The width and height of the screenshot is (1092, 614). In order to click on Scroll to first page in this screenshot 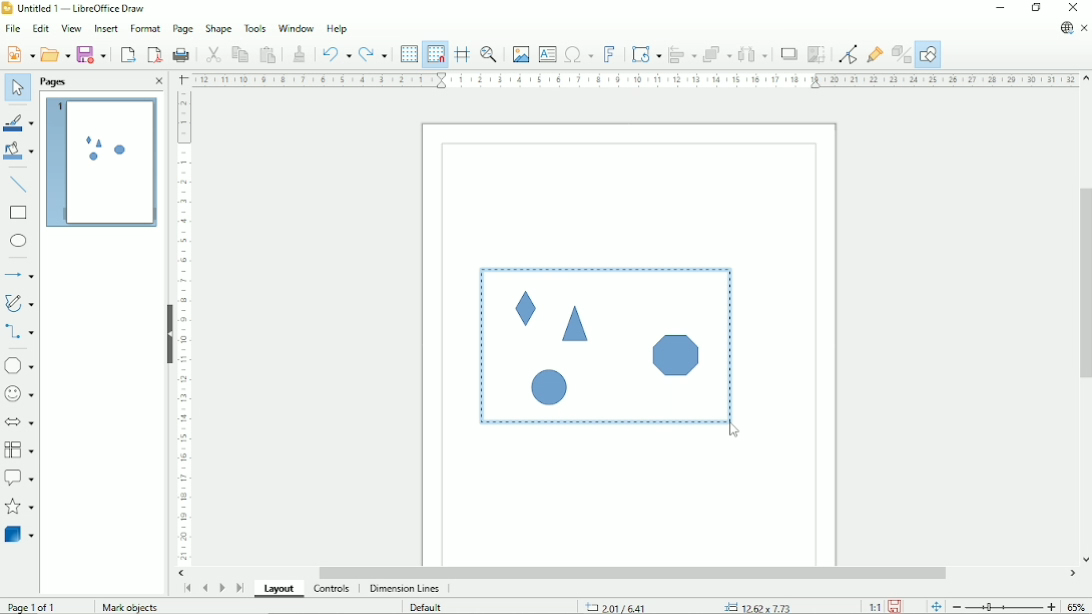, I will do `click(187, 588)`.